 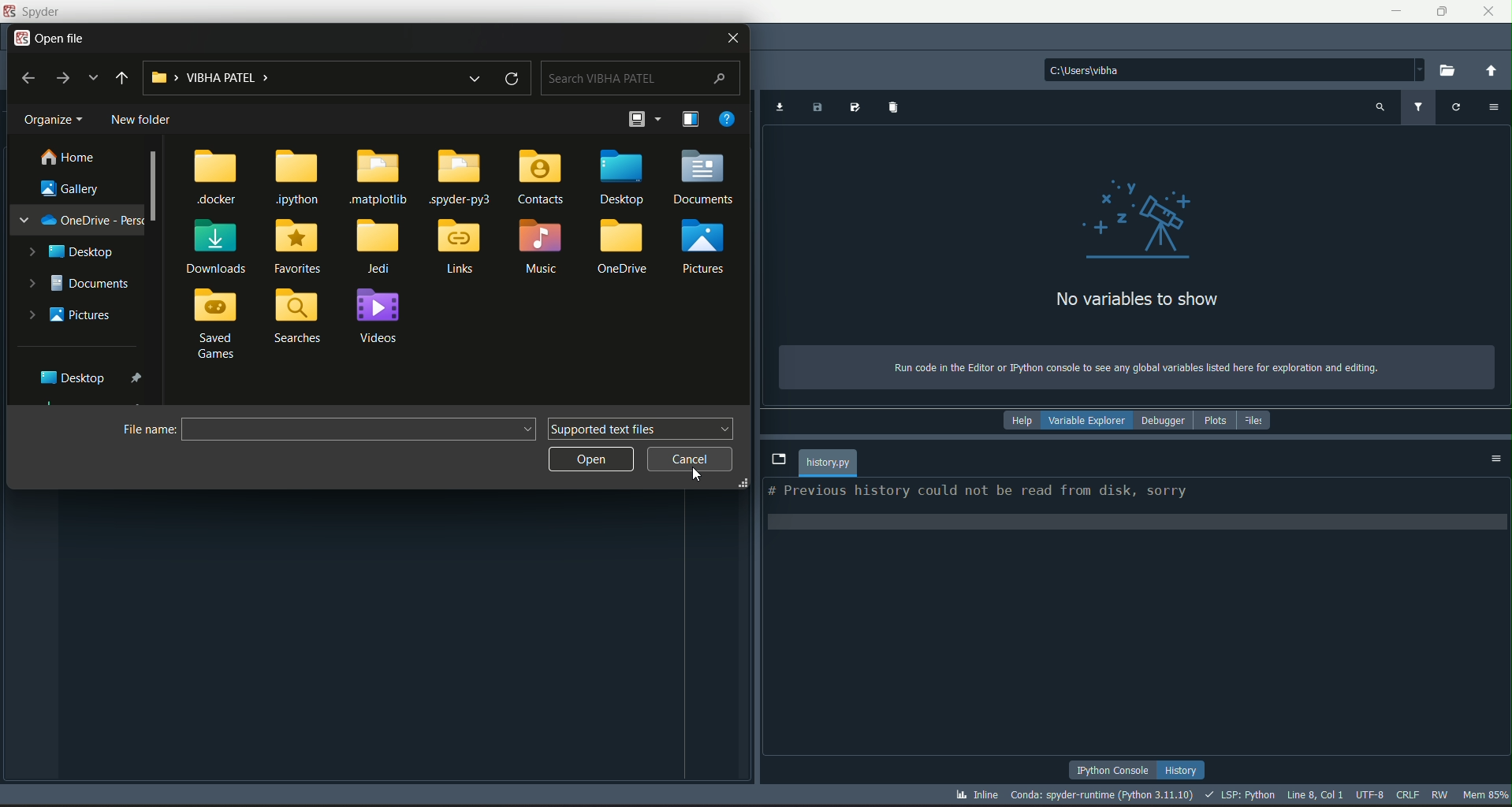 What do you see at coordinates (62, 78) in the screenshot?
I see `forward` at bounding box center [62, 78].